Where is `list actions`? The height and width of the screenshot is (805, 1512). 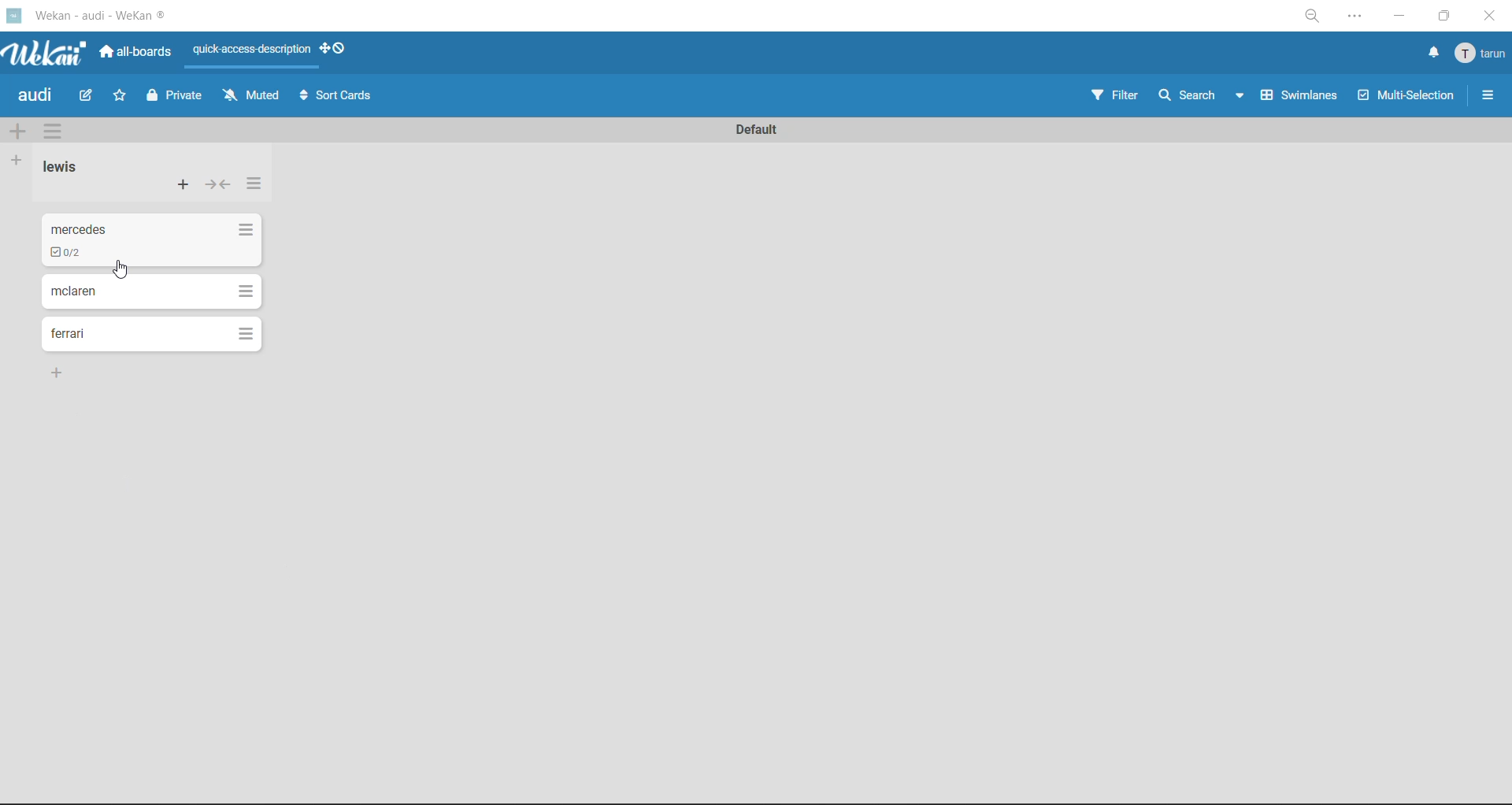 list actions is located at coordinates (246, 230).